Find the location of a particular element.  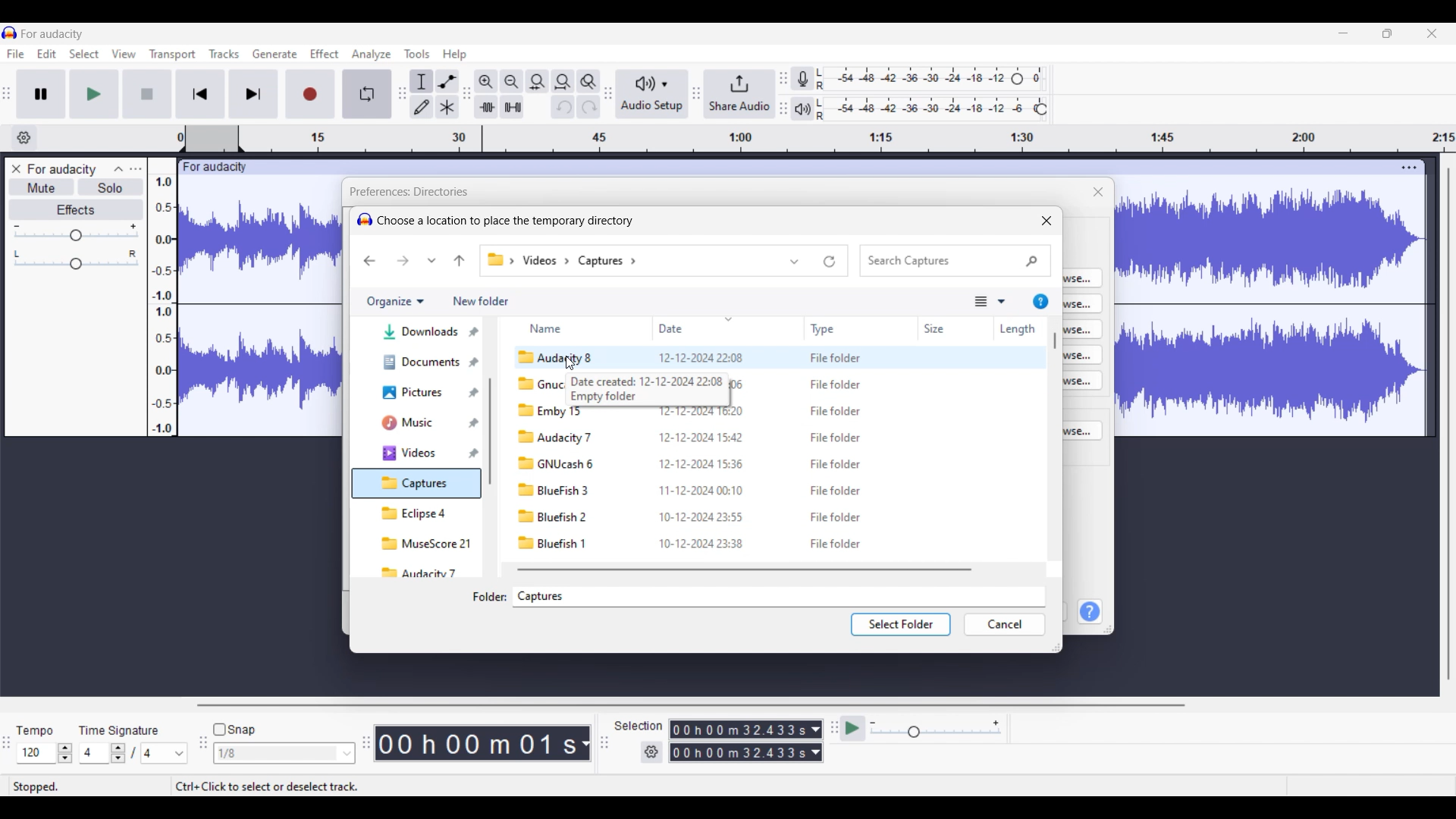

Enable looping is located at coordinates (367, 93).